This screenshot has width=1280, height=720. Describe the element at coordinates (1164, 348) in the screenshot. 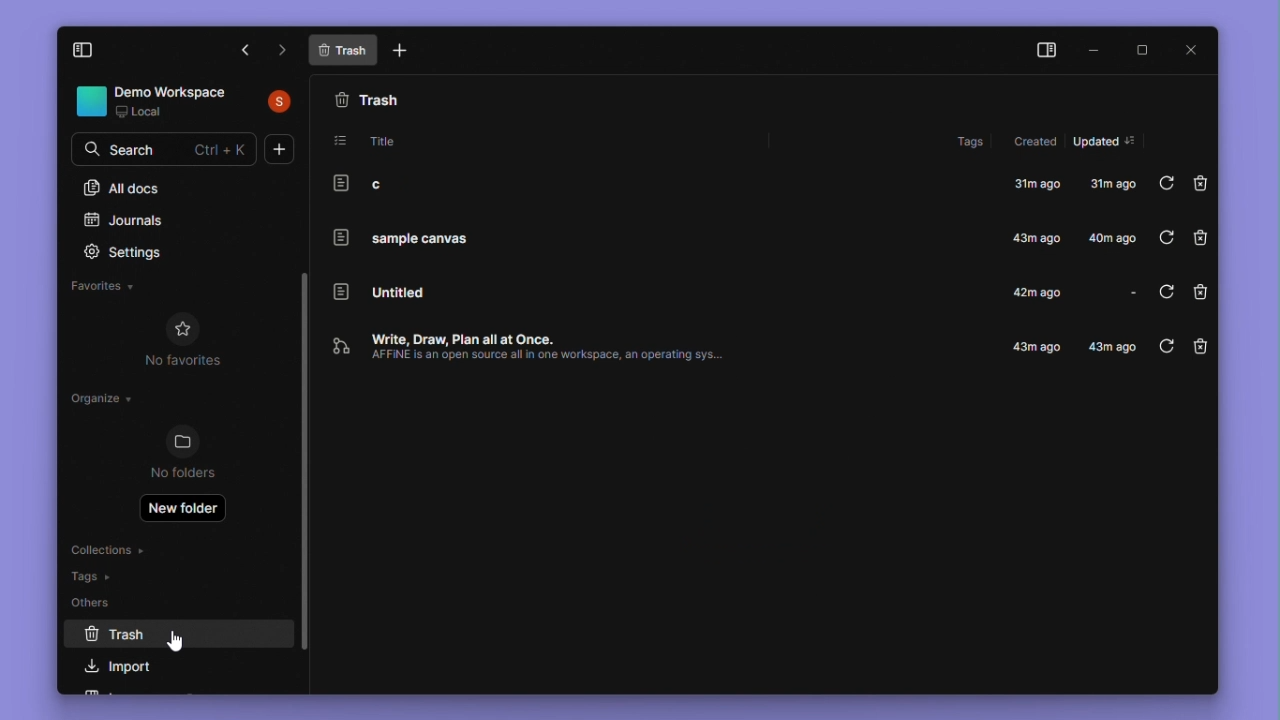

I see `restore` at that location.